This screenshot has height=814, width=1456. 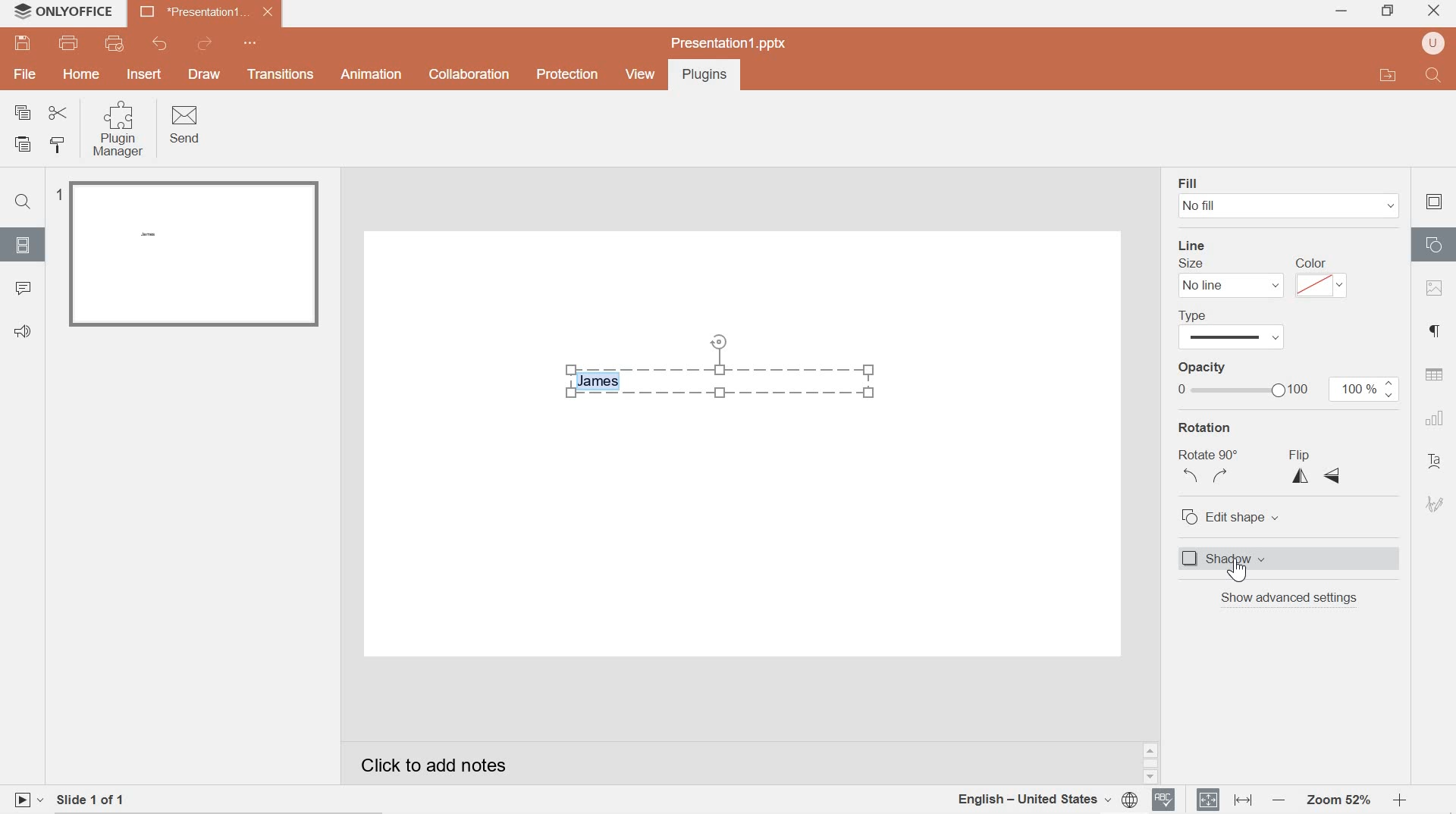 I want to click on print, so click(x=71, y=44).